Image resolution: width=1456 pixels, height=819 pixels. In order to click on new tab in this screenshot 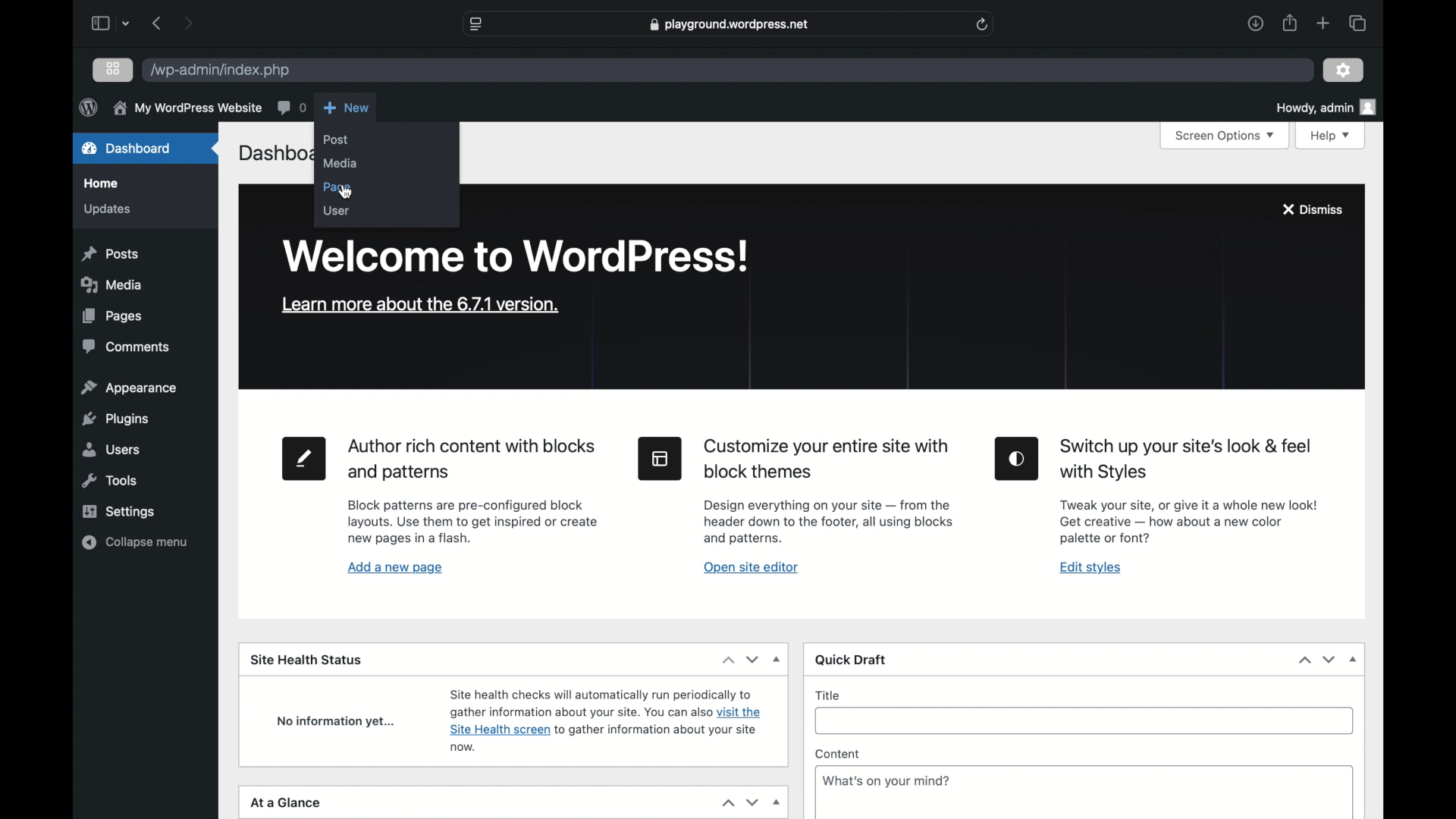, I will do `click(1323, 24)`.